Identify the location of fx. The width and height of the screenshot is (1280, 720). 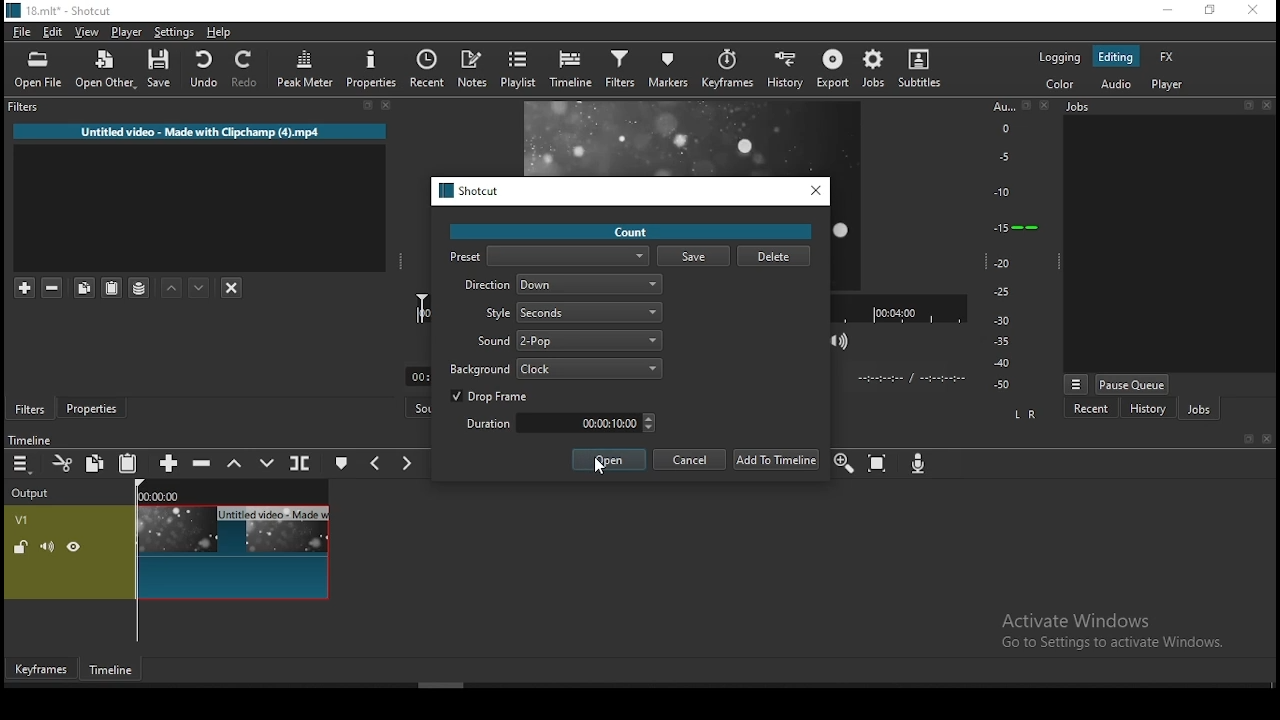
(1167, 56).